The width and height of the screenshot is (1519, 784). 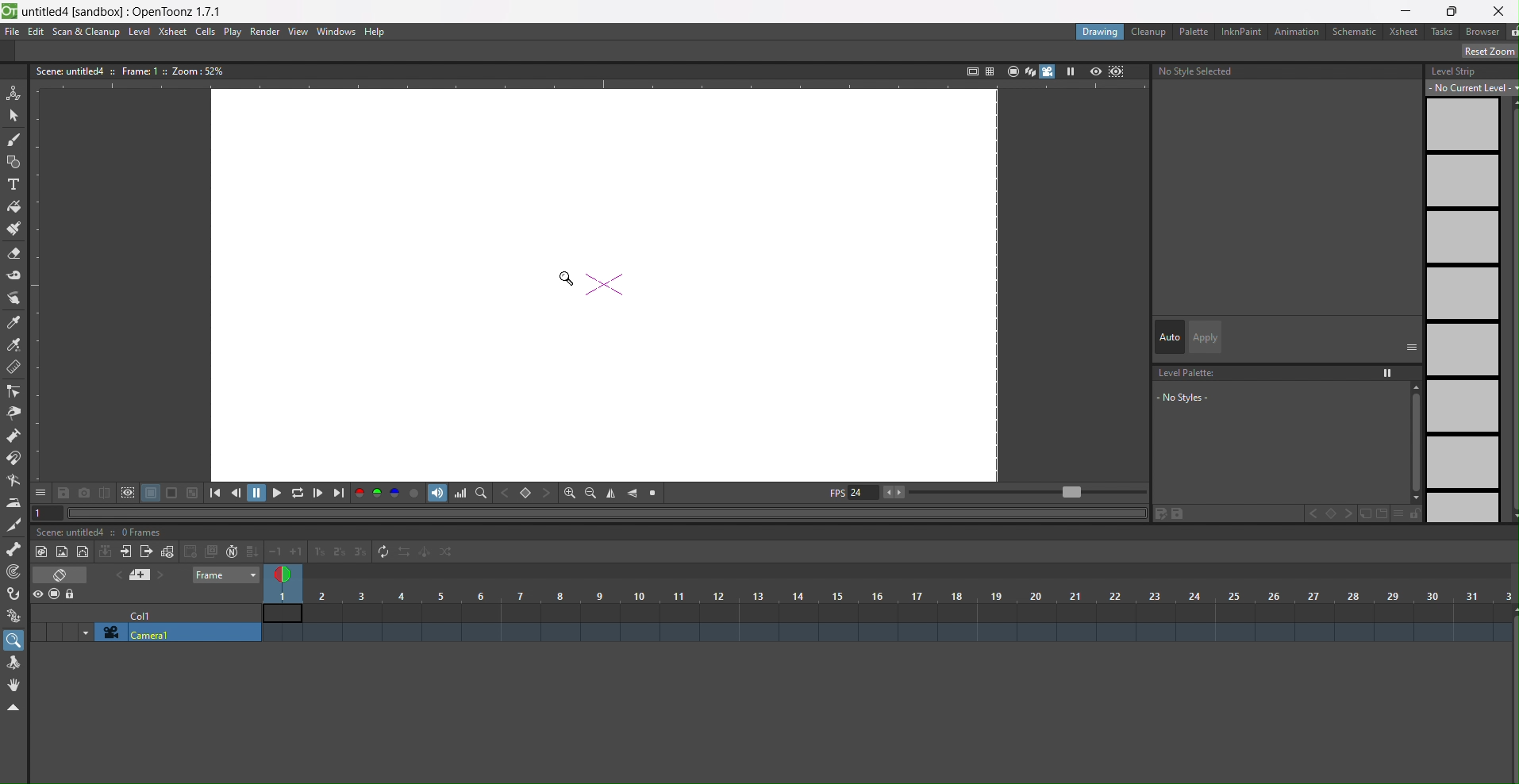 I want to click on level palette, so click(x=1286, y=402).